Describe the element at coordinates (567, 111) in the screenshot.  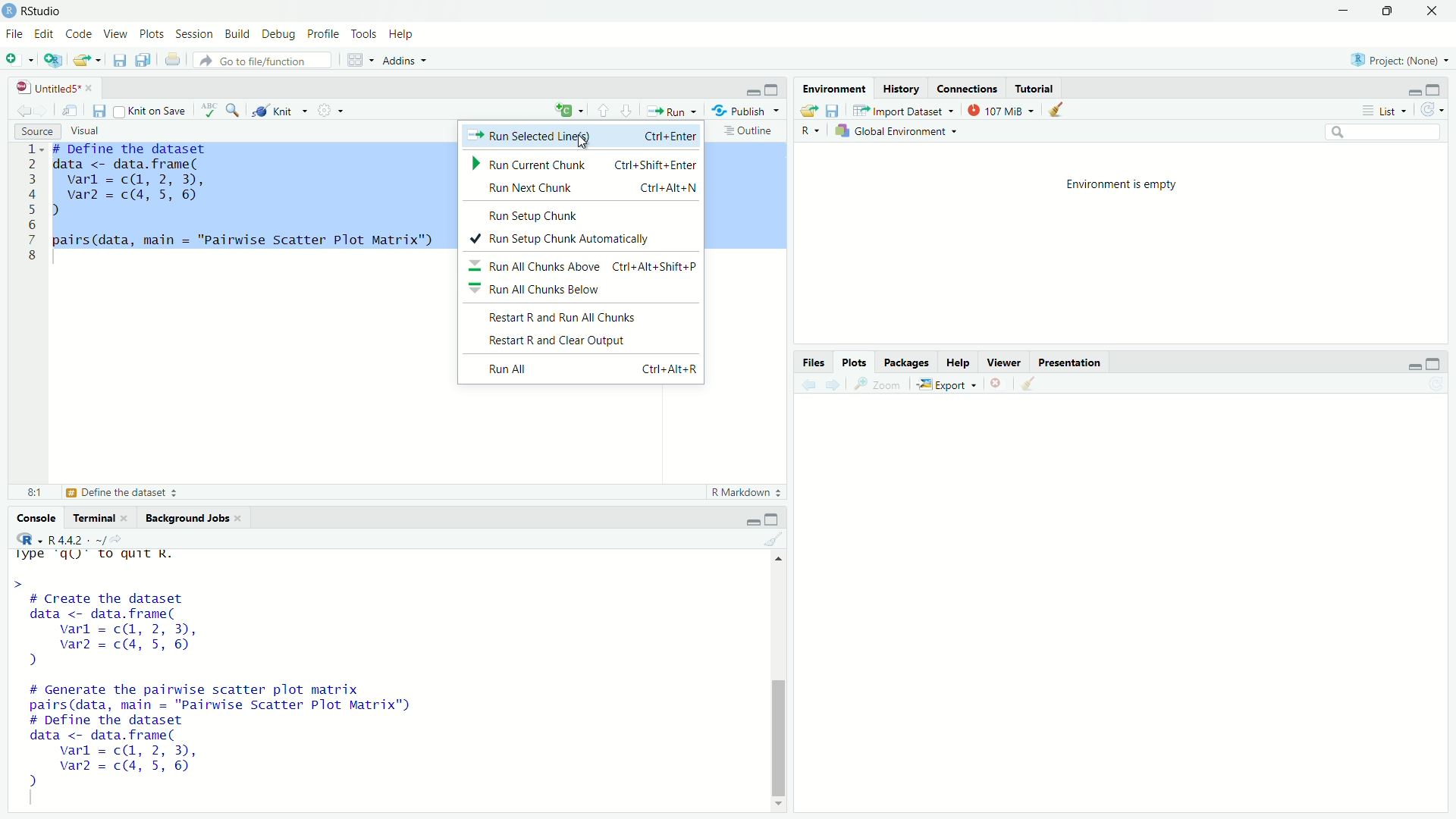
I see `C` at that location.